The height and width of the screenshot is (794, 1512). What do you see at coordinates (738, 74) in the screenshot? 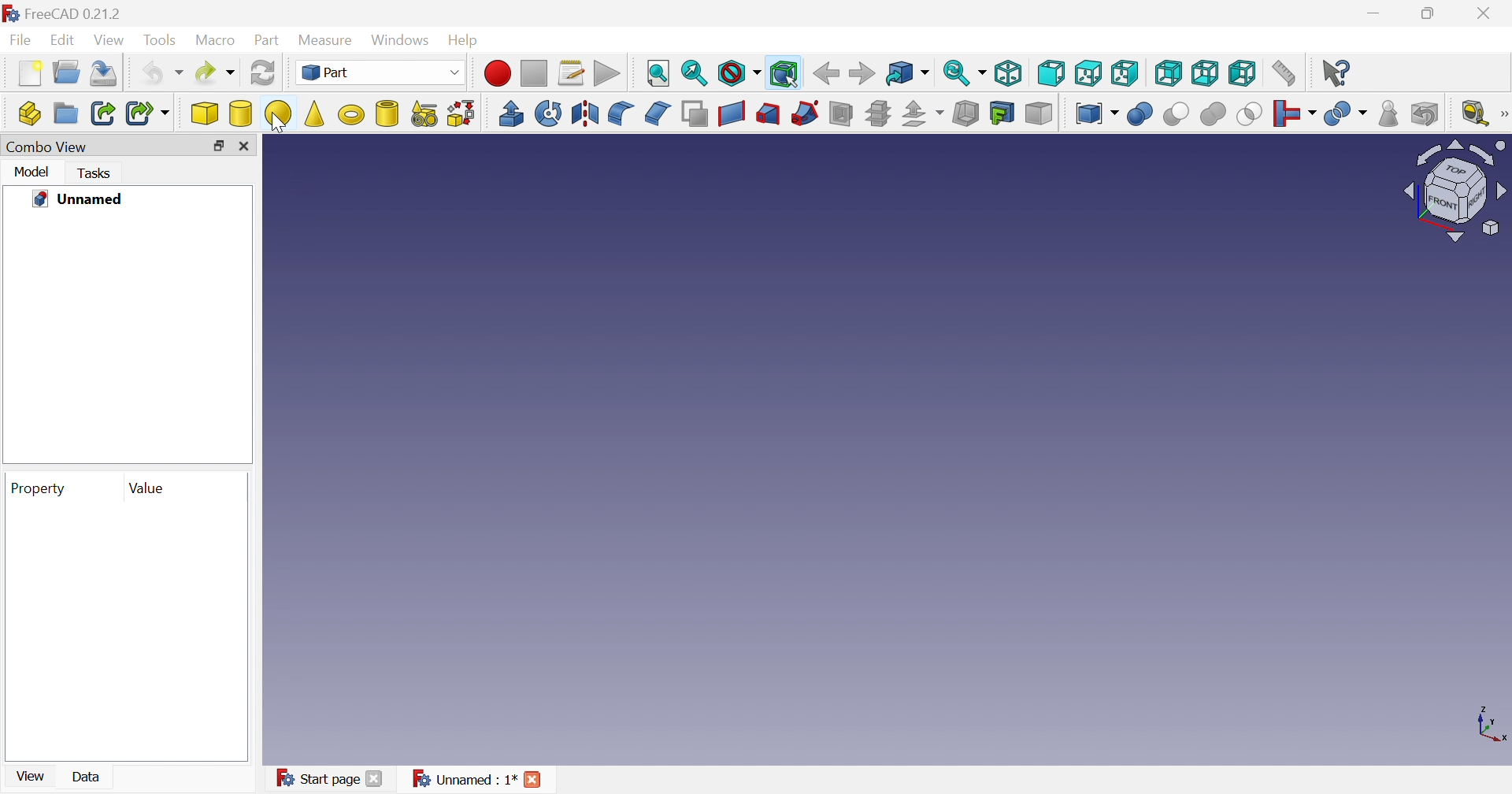
I see `Draw style` at bounding box center [738, 74].